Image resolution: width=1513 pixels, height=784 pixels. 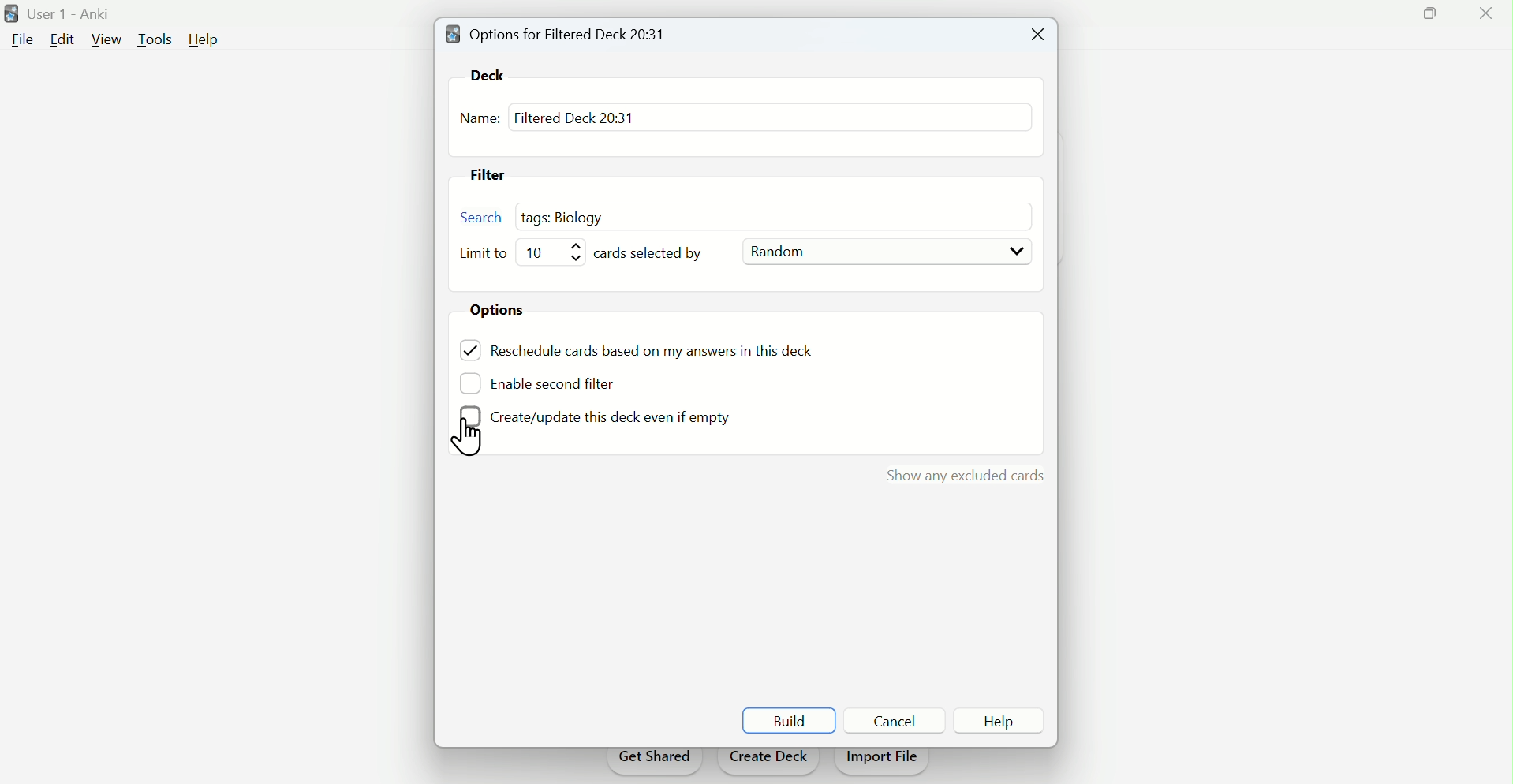 What do you see at coordinates (208, 40) in the screenshot?
I see `Help` at bounding box center [208, 40].